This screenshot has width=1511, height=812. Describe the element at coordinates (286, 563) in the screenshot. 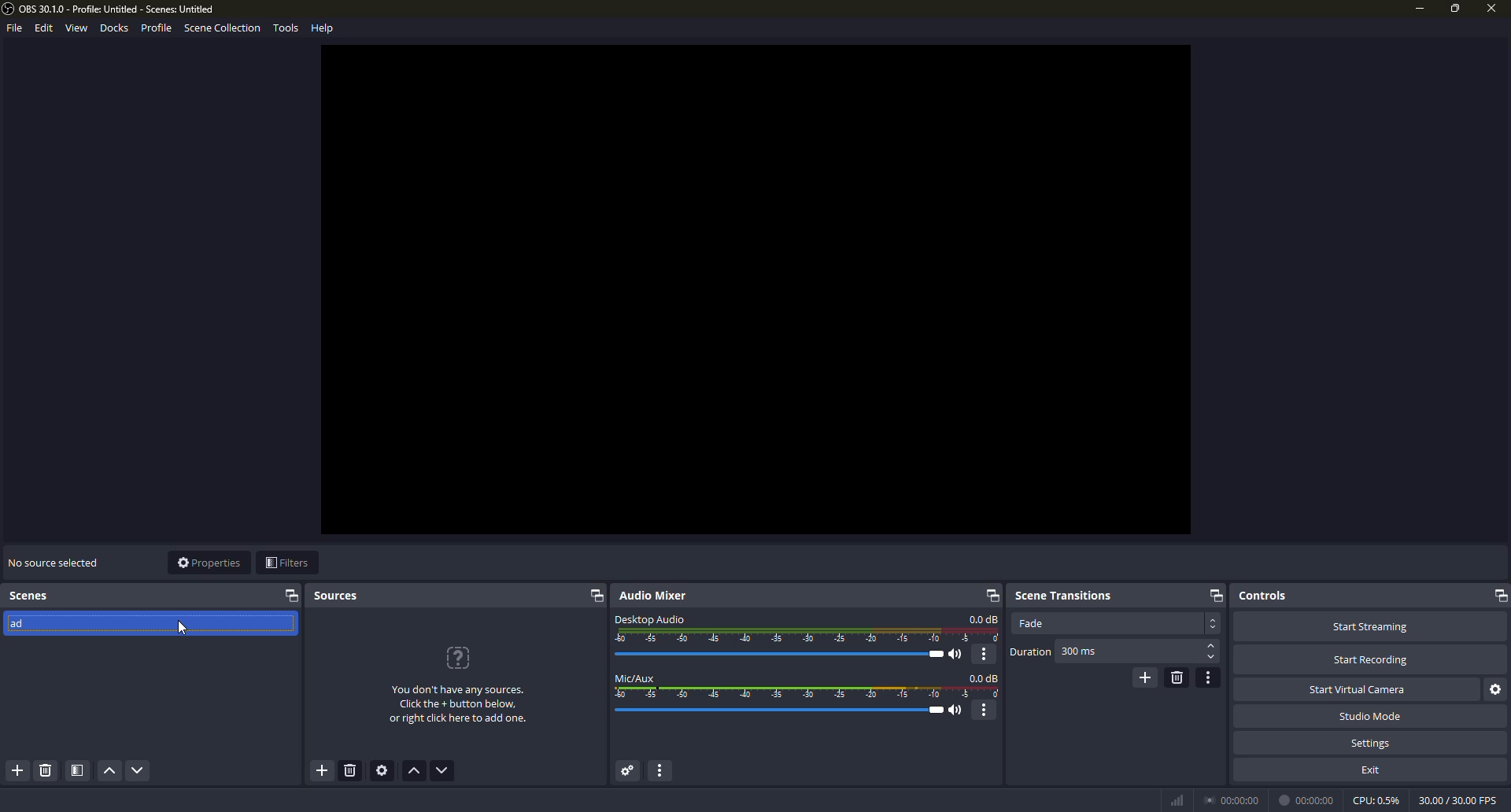

I see `filters` at that location.